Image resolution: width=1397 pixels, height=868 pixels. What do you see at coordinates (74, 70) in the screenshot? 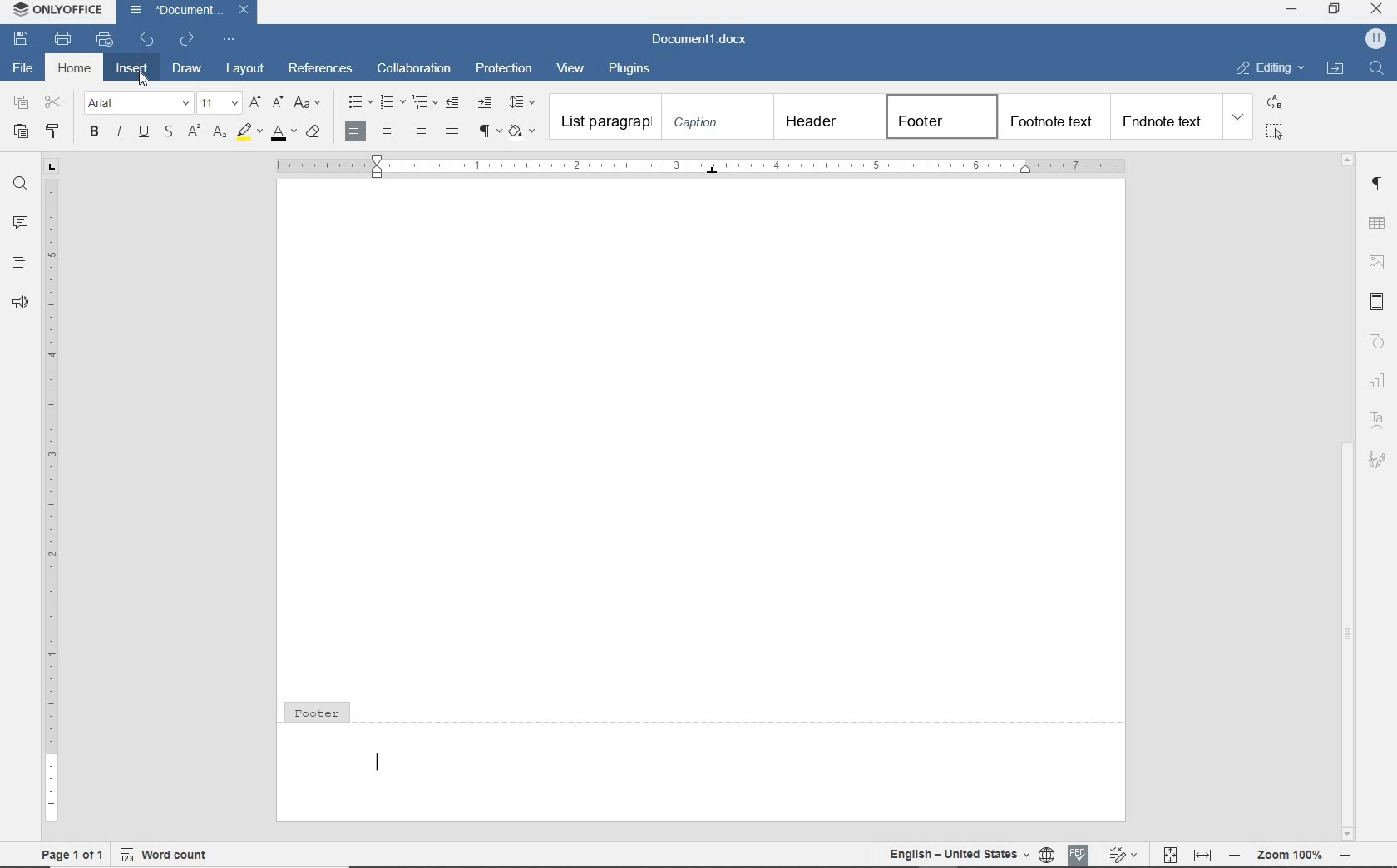
I see `home` at bounding box center [74, 70].